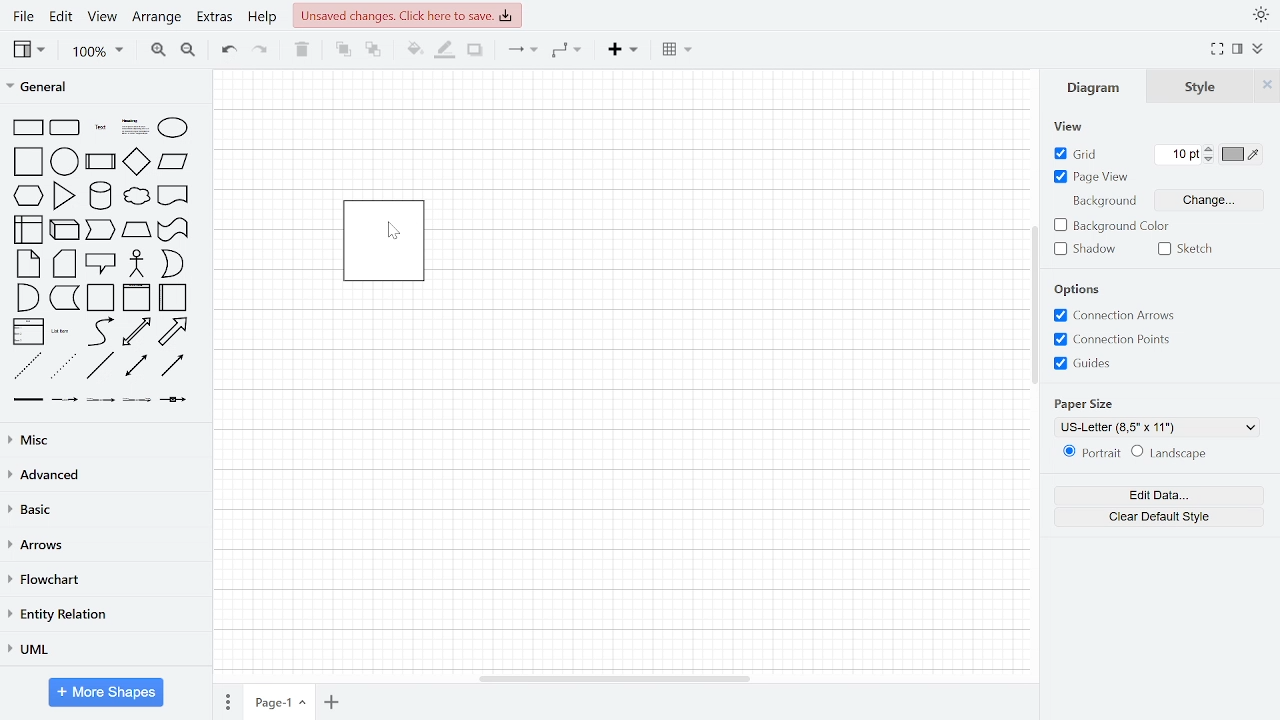  Describe the element at coordinates (105, 86) in the screenshot. I see `general` at that location.